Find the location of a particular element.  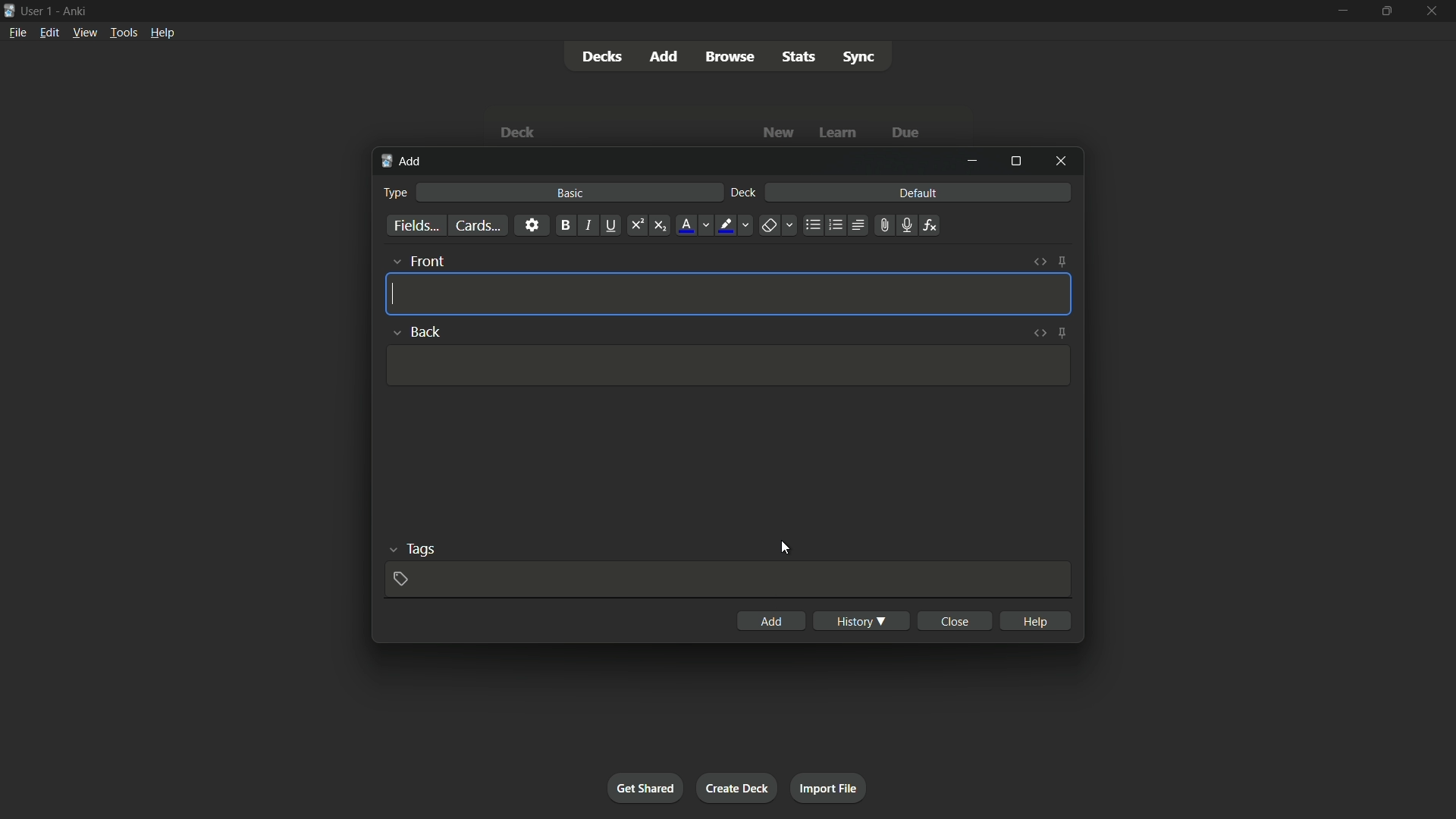

edit menu is located at coordinates (49, 33).